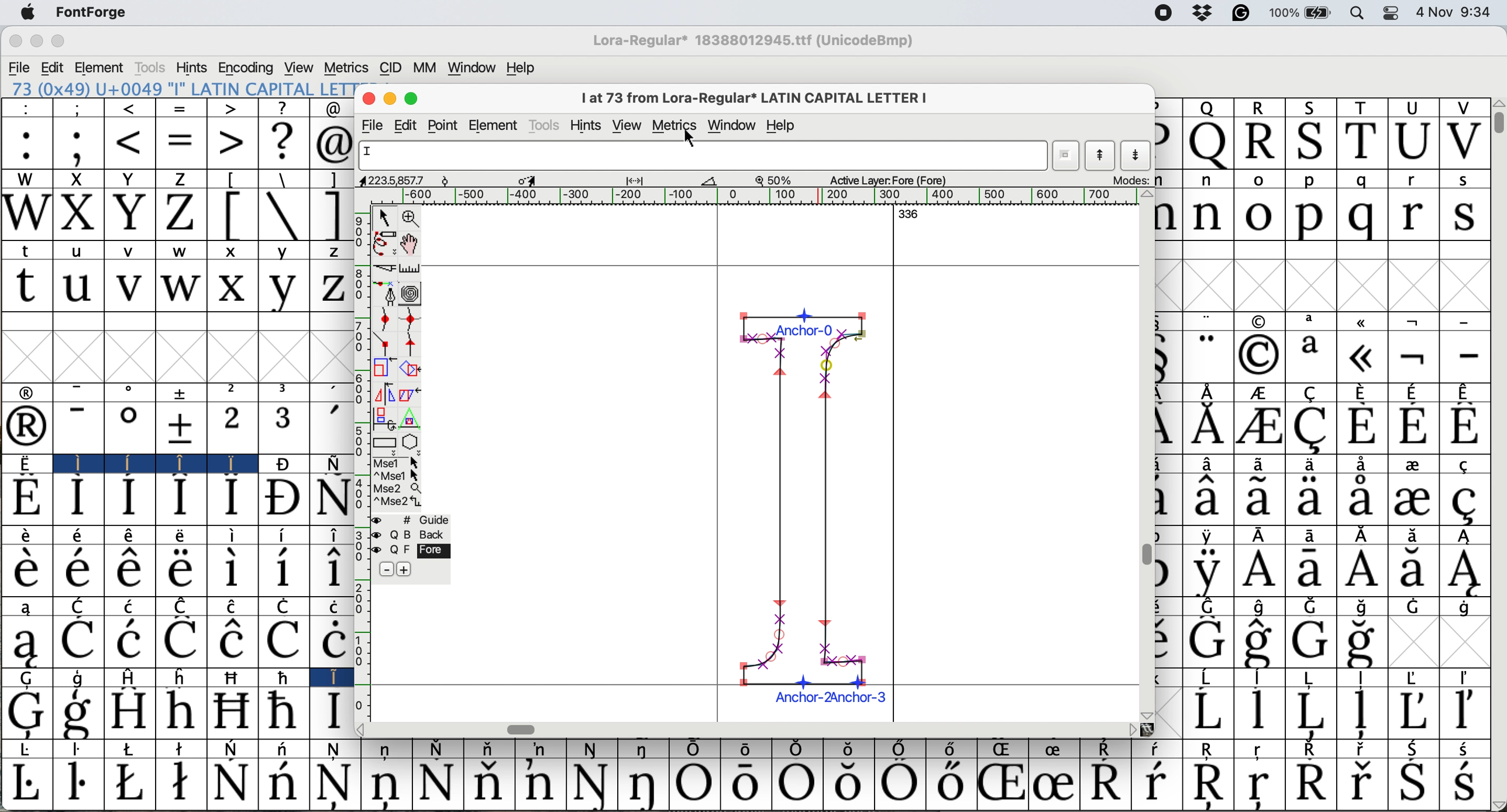  Describe the element at coordinates (1260, 108) in the screenshot. I see `R` at that location.